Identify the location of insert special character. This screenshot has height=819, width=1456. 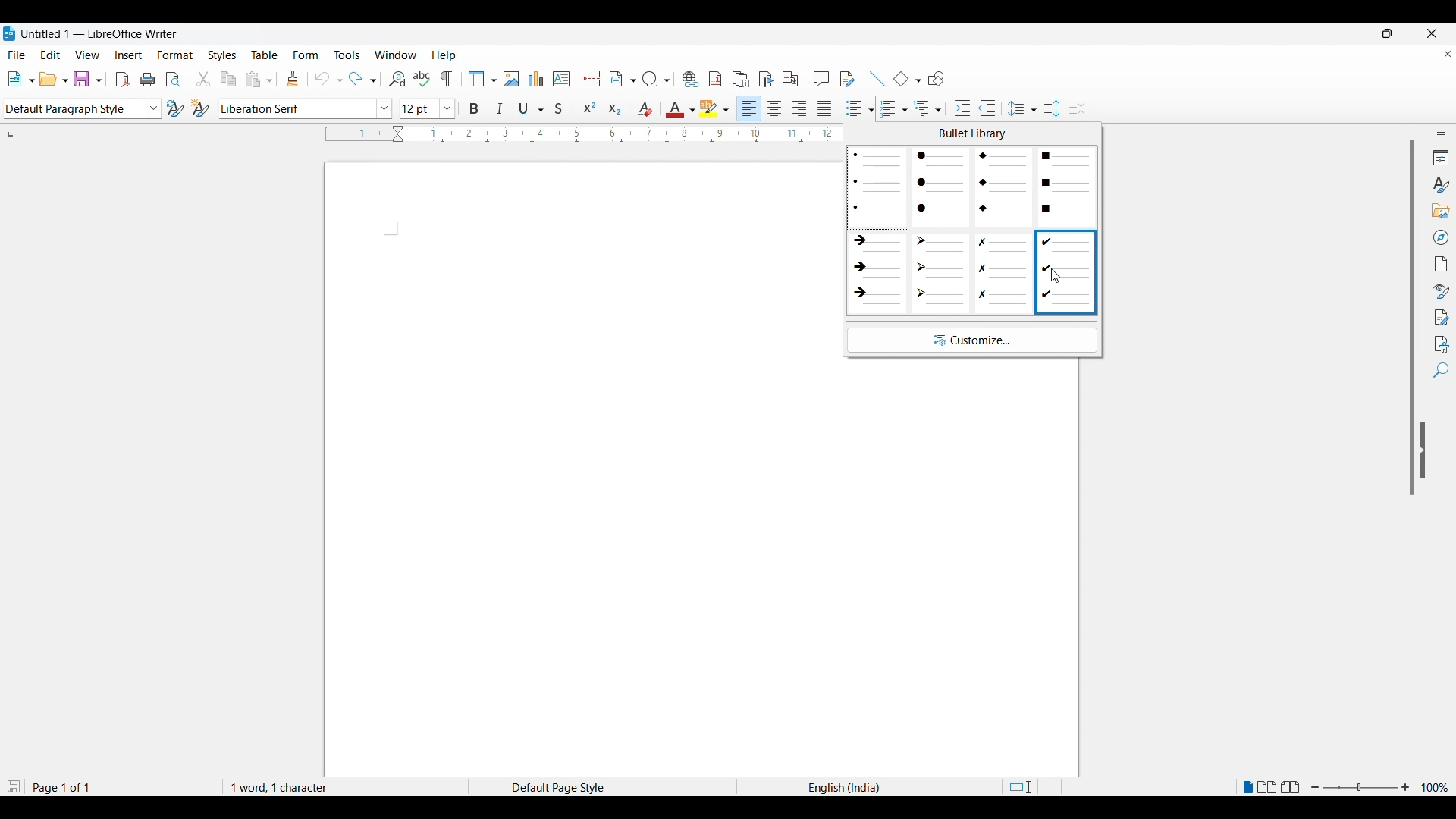
(656, 79).